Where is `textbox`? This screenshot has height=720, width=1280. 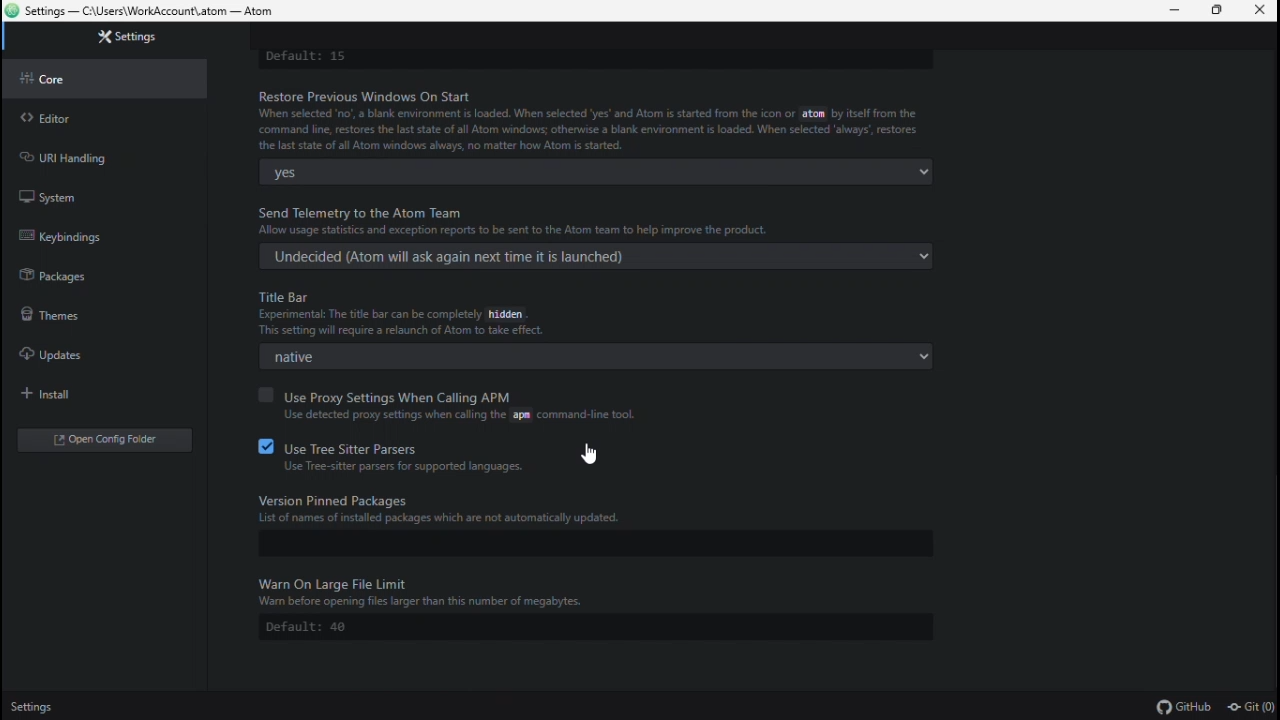 textbox is located at coordinates (573, 544).